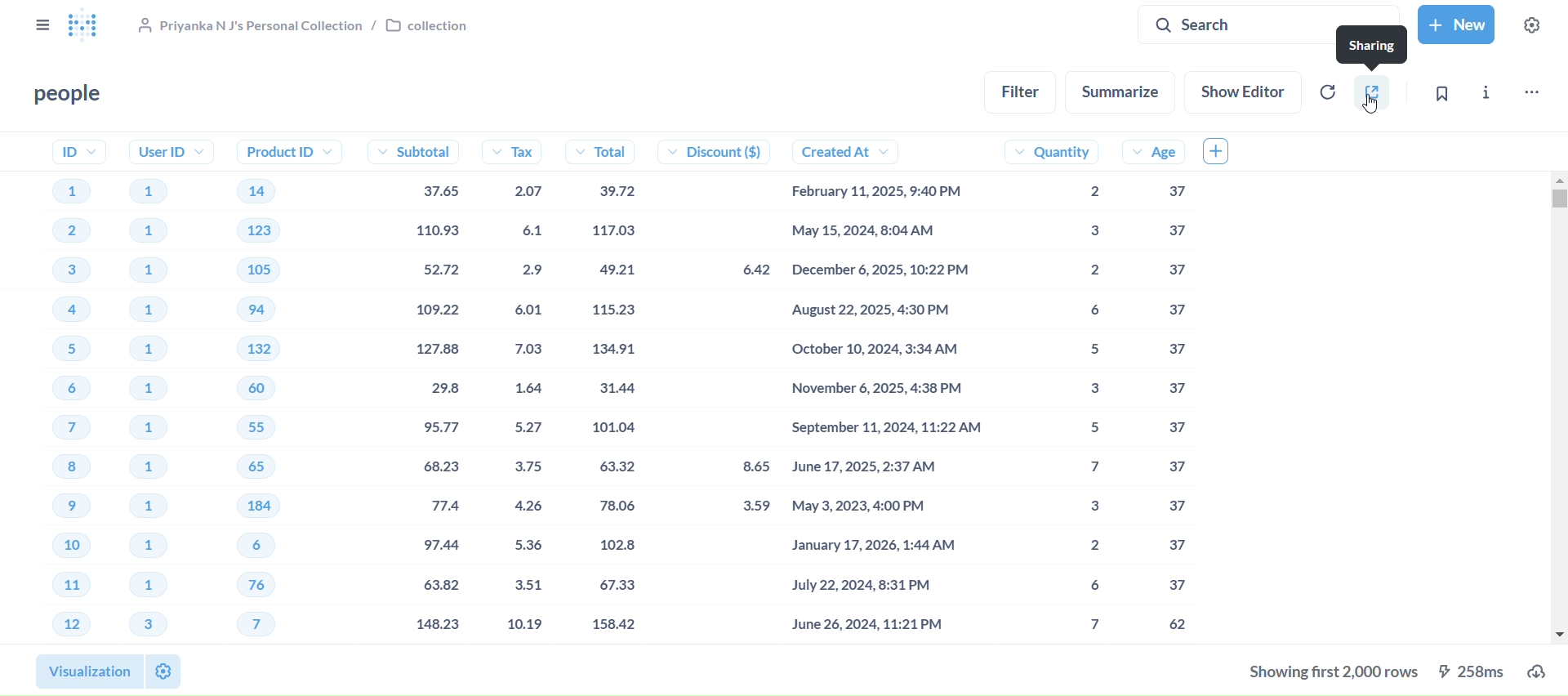 The width and height of the screenshot is (1568, 696). I want to click on auto-refresh, so click(1326, 91).